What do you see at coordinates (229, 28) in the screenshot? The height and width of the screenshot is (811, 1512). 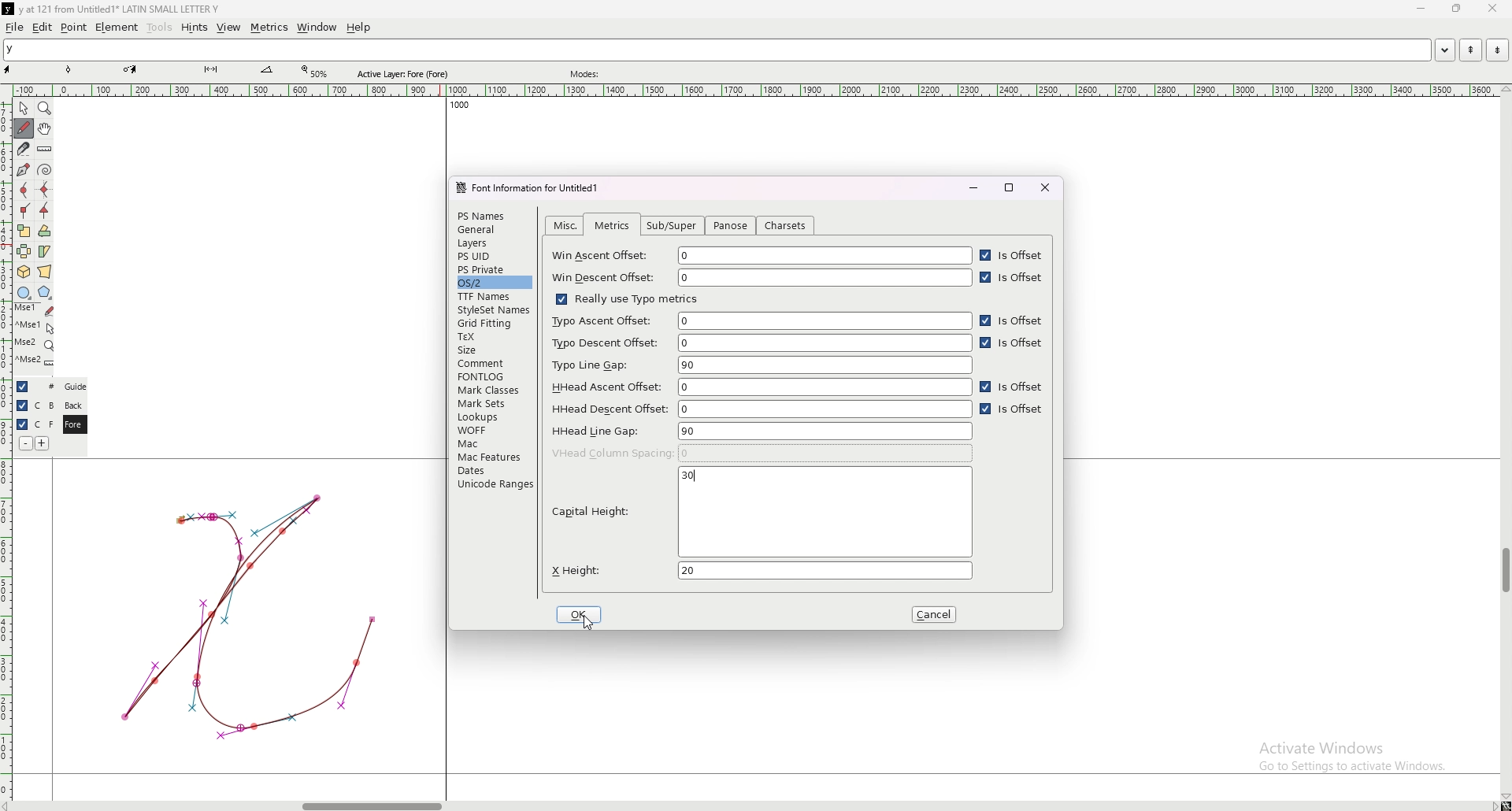 I see `view` at bounding box center [229, 28].